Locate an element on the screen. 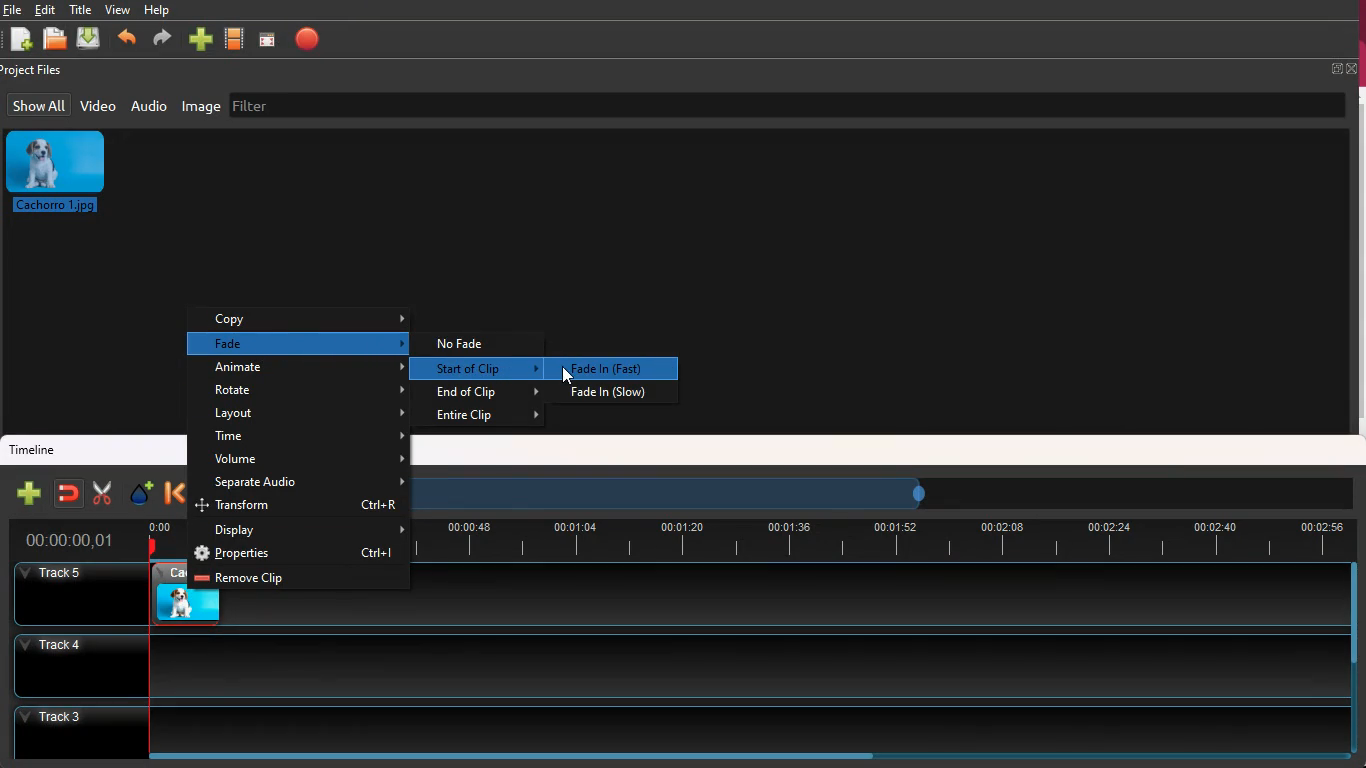 The height and width of the screenshot is (768, 1366). properties is located at coordinates (301, 554).